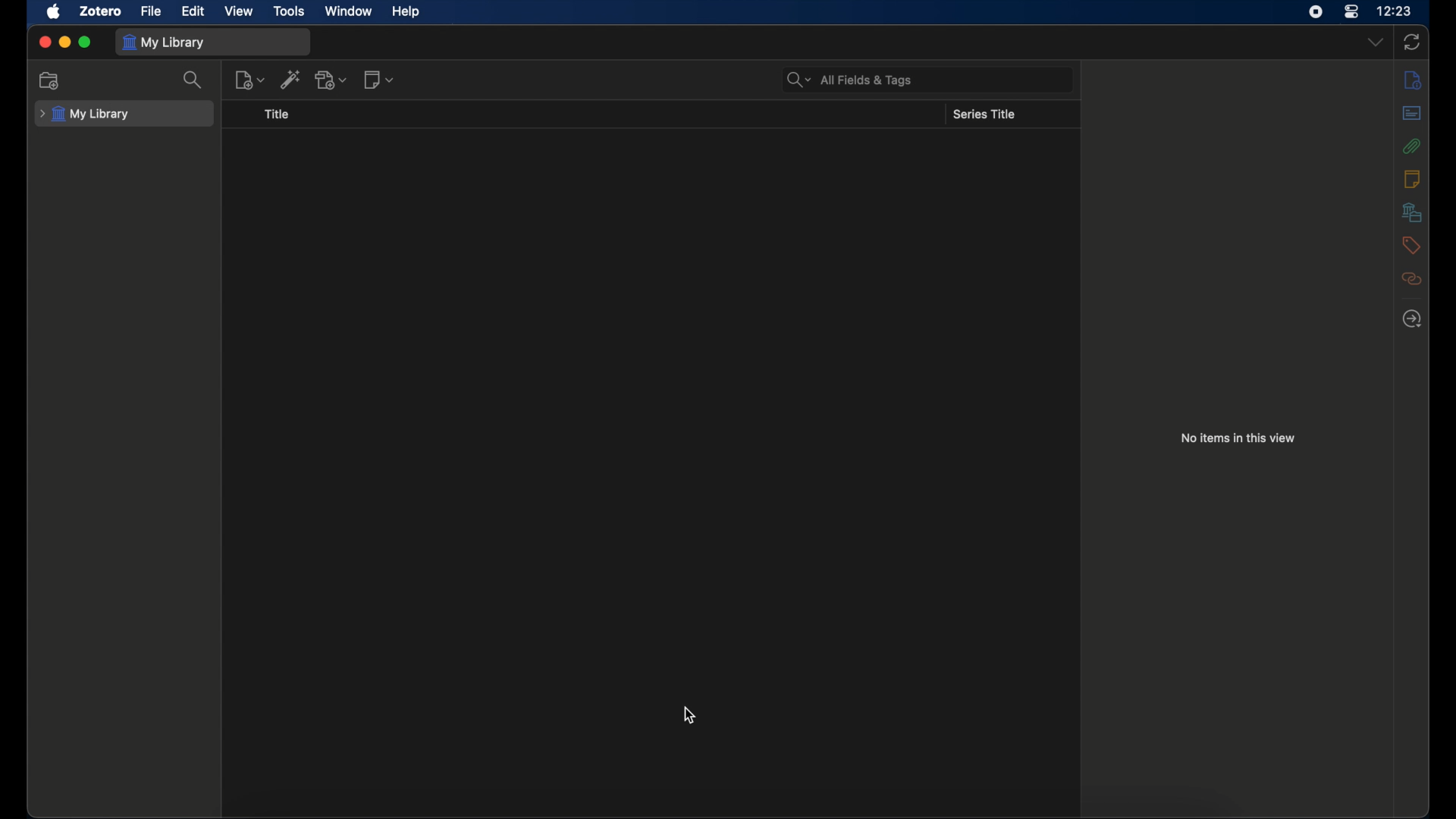 The height and width of the screenshot is (819, 1456). What do you see at coordinates (238, 11) in the screenshot?
I see `view` at bounding box center [238, 11].